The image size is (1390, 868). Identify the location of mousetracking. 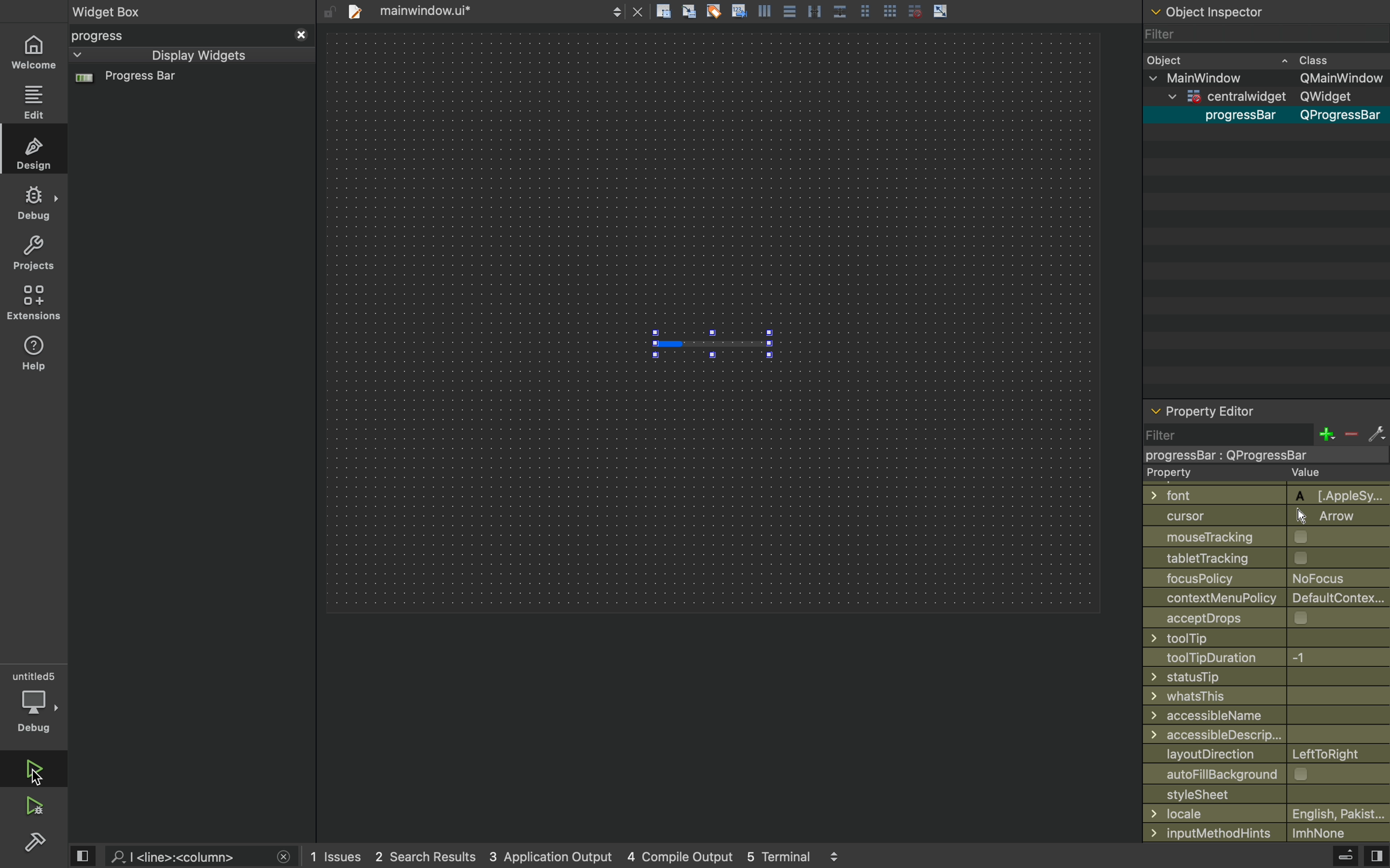
(1262, 537).